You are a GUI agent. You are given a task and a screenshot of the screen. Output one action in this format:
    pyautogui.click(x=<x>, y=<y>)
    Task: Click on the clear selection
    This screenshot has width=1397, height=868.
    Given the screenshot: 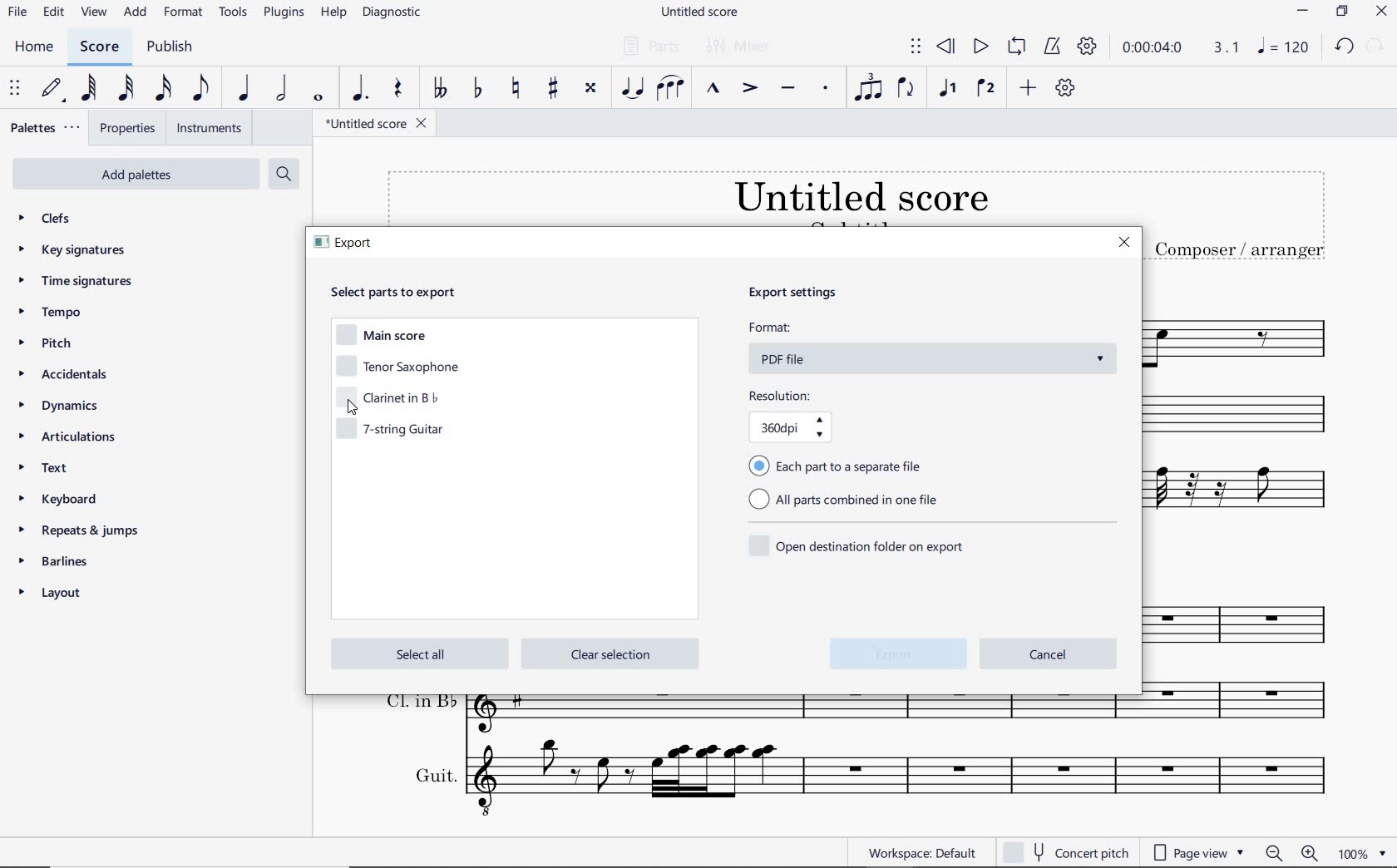 What is the action you would take?
    pyautogui.click(x=609, y=654)
    